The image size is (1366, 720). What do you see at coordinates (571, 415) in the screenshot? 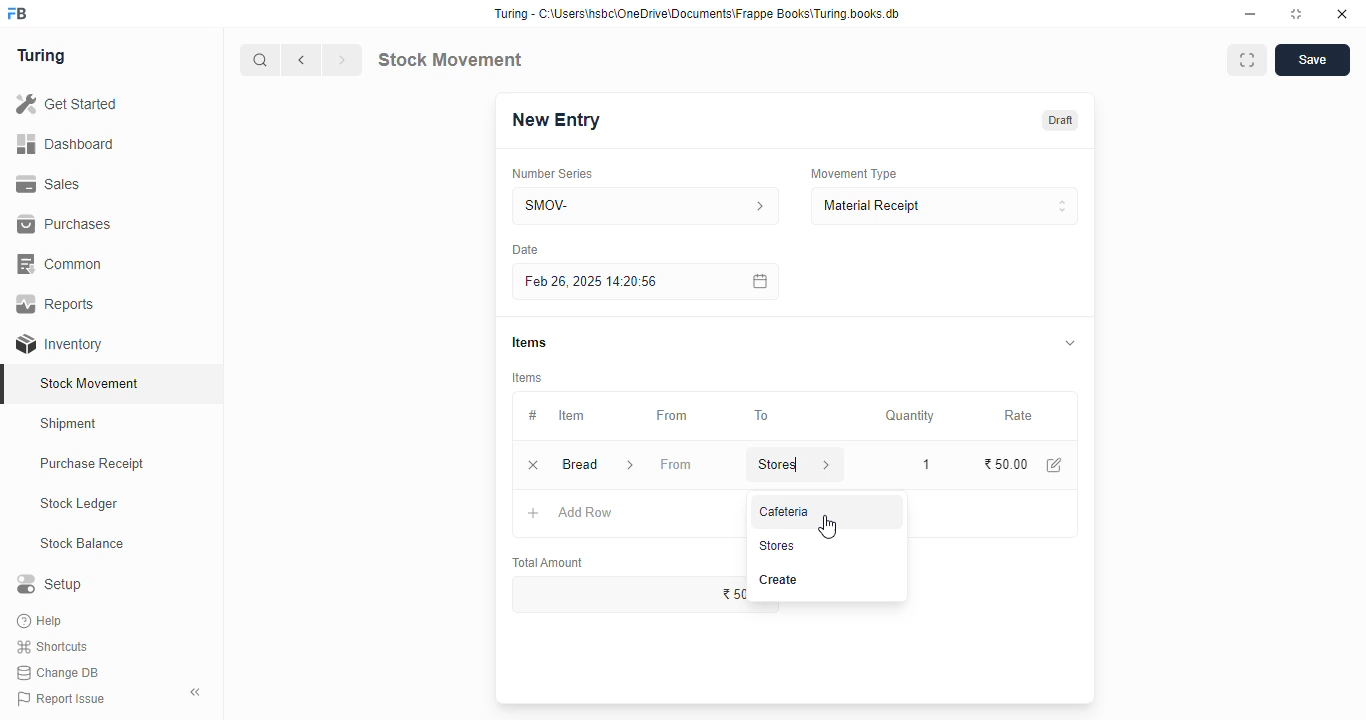
I see `item` at bounding box center [571, 415].